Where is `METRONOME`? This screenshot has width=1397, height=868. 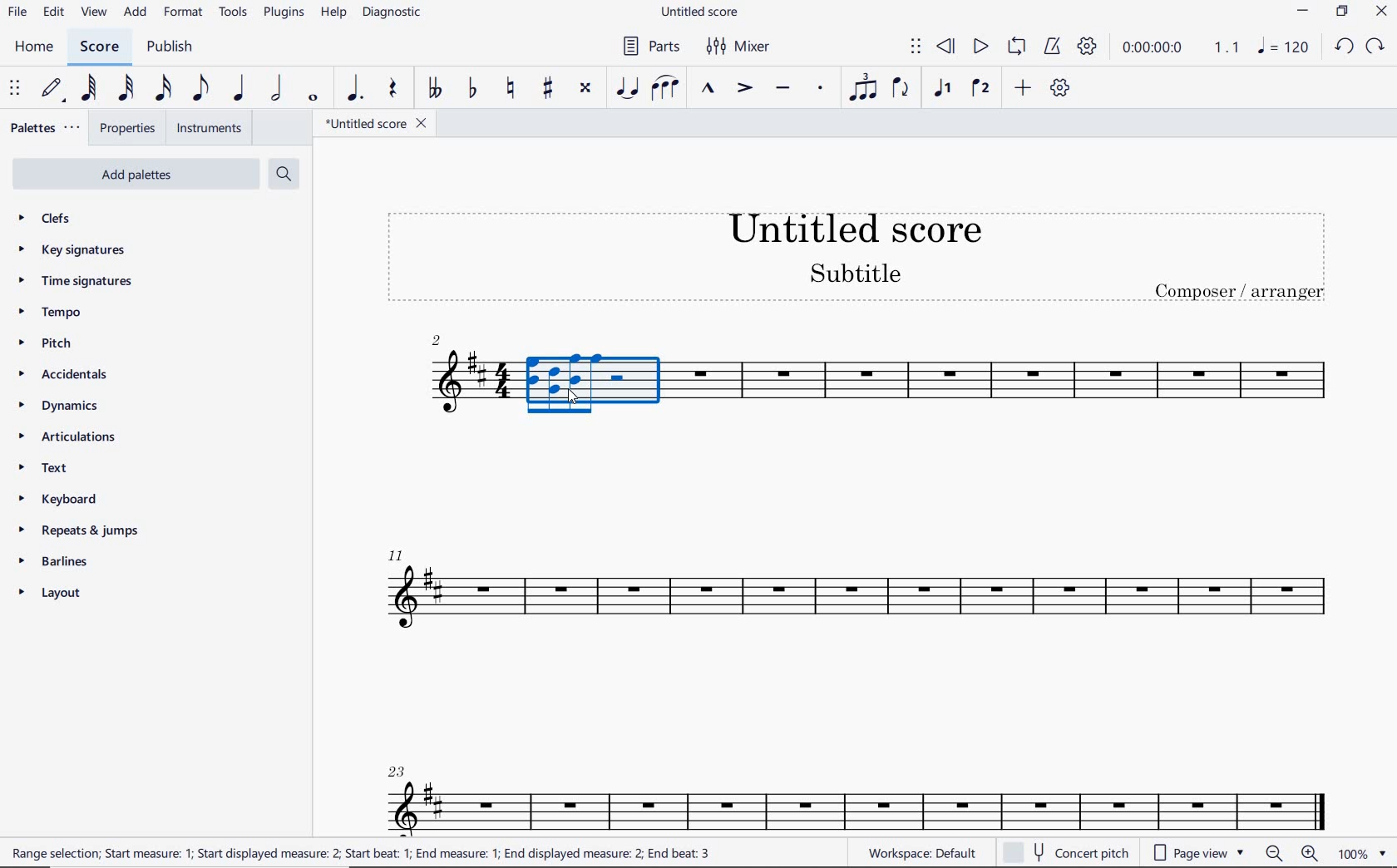 METRONOME is located at coordinates (1052, 47).